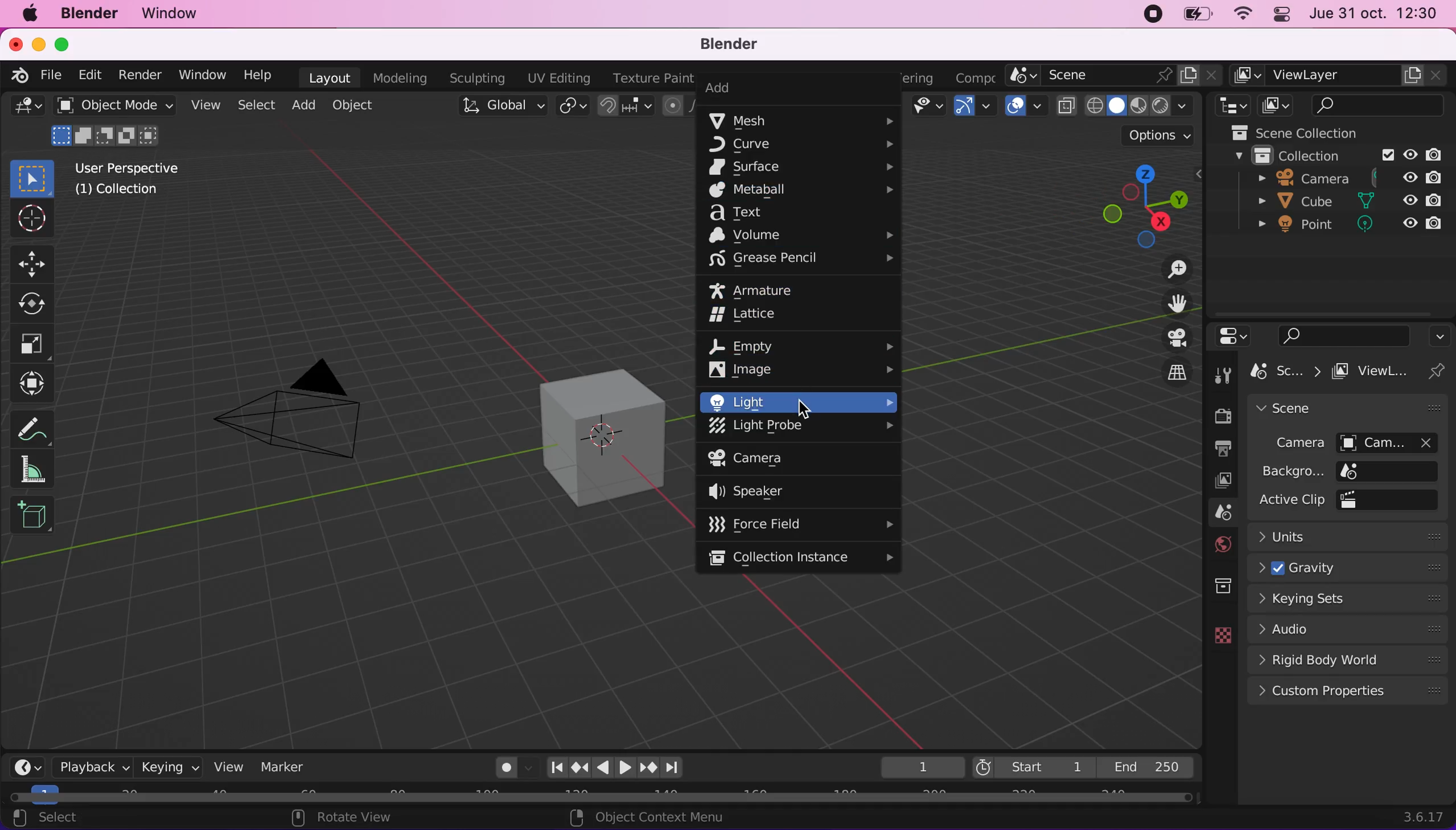 This screenshot has height=830, width=1456. I want to click on view layer, so click(1219, 482).